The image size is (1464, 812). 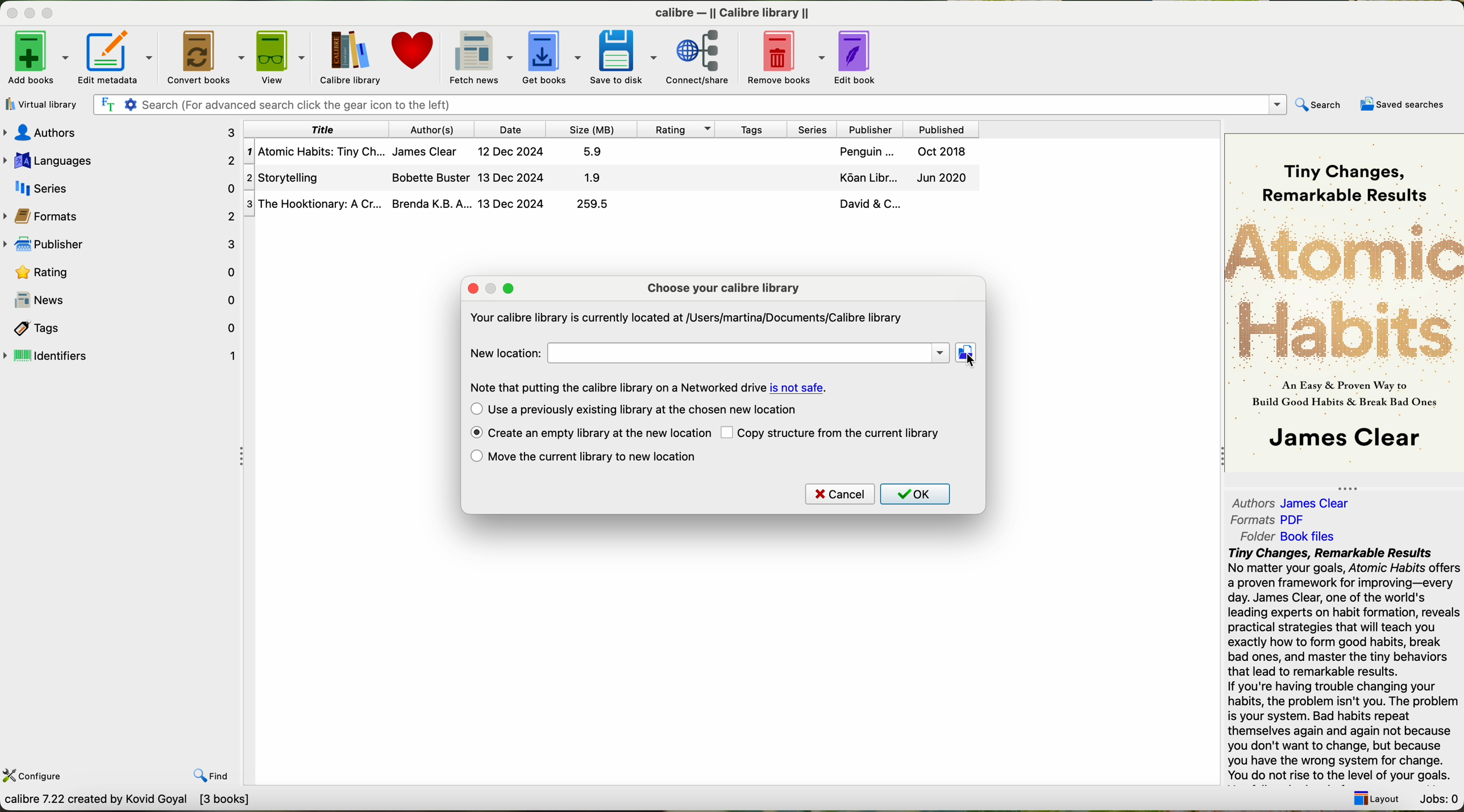 I want to click on | Fr ¢ Search (For advanced search click the gear icon to the left), so click(x=685, y=103).